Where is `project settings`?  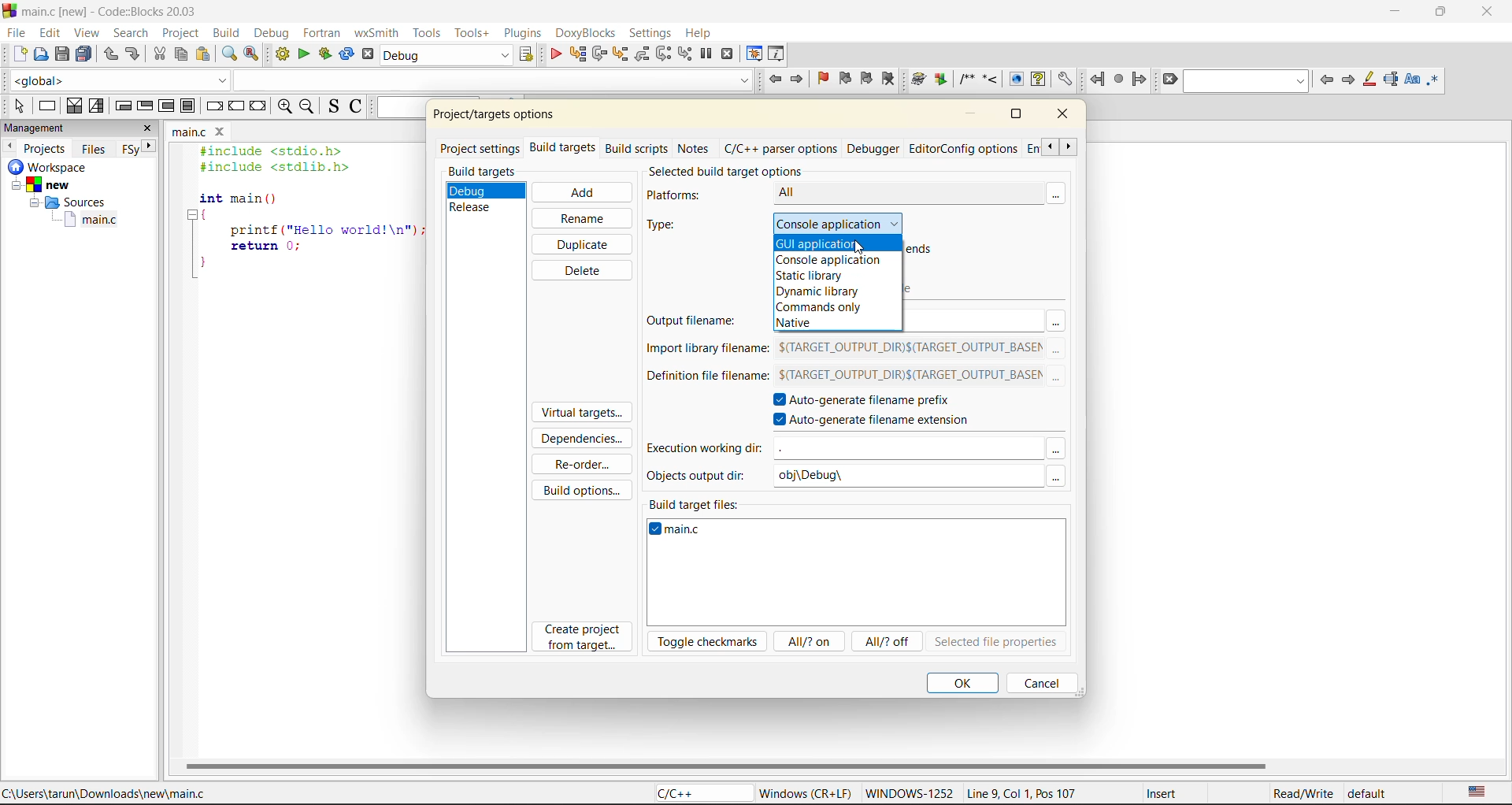 project settings is located at coordinates (480, 149).